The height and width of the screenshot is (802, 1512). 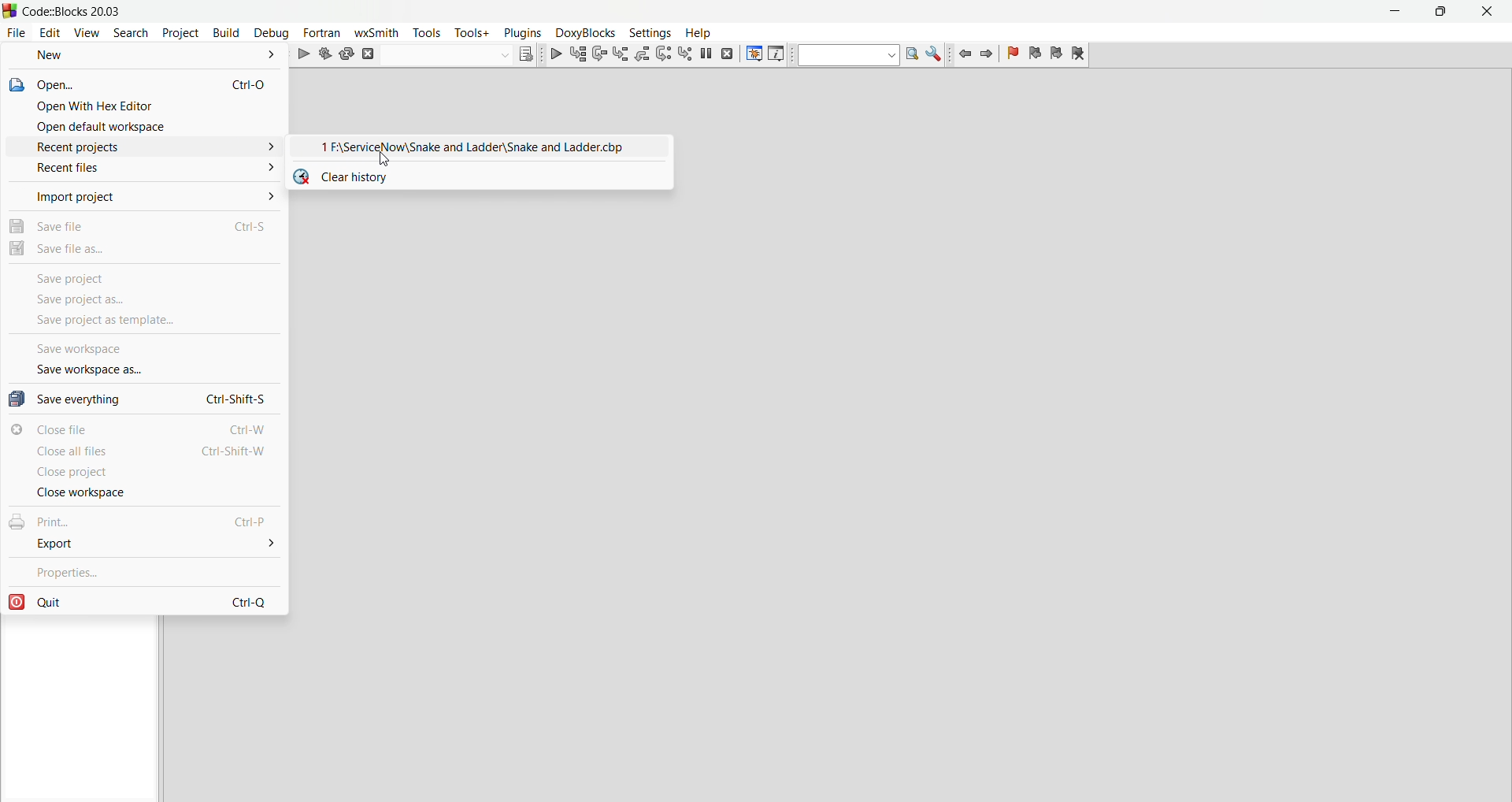 I want to click on build and run, so click(x=327, y=55).